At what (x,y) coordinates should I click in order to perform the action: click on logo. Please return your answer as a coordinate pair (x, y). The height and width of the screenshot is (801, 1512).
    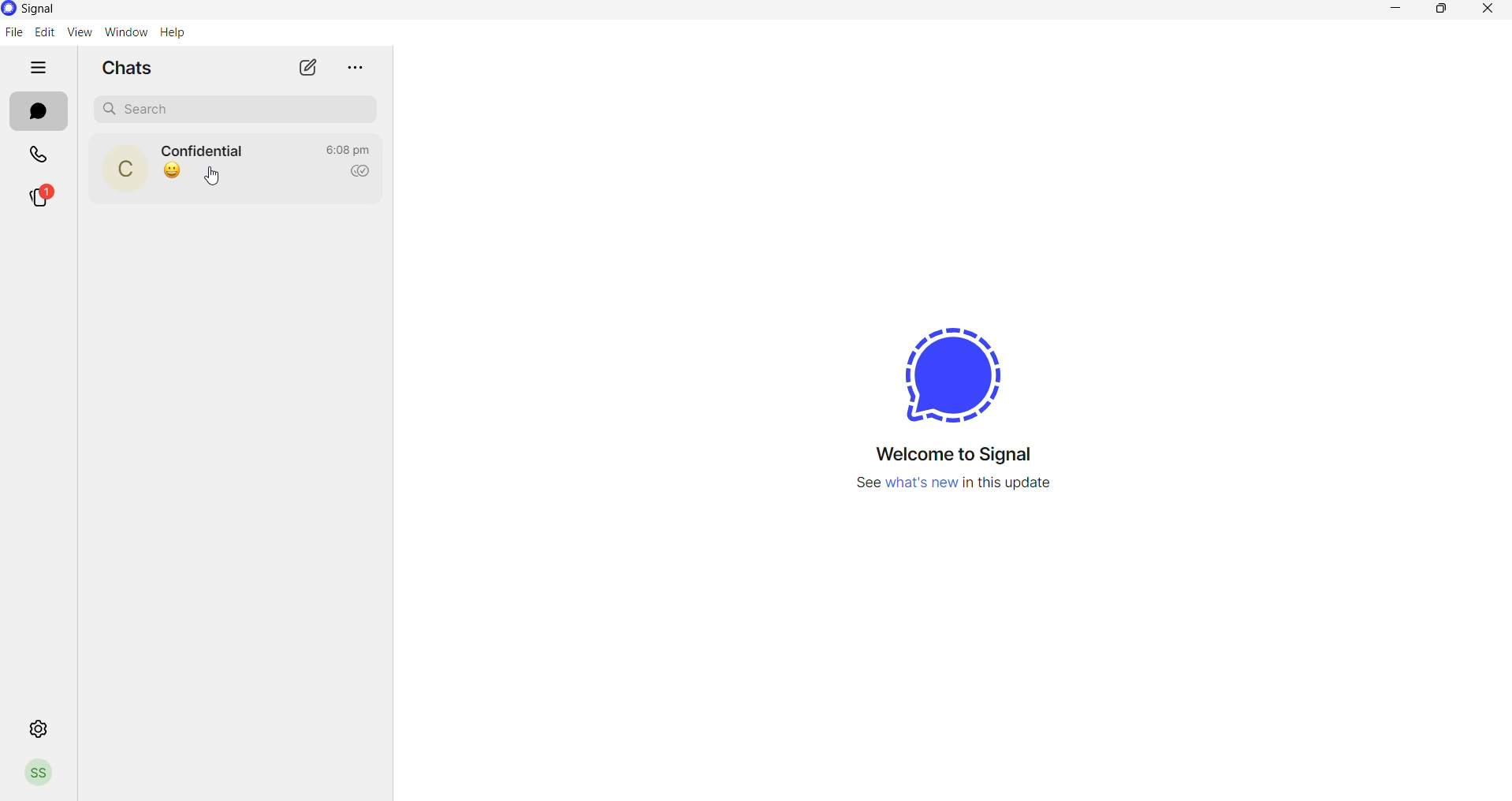
    Looking at the image, I should click on (956, 377).